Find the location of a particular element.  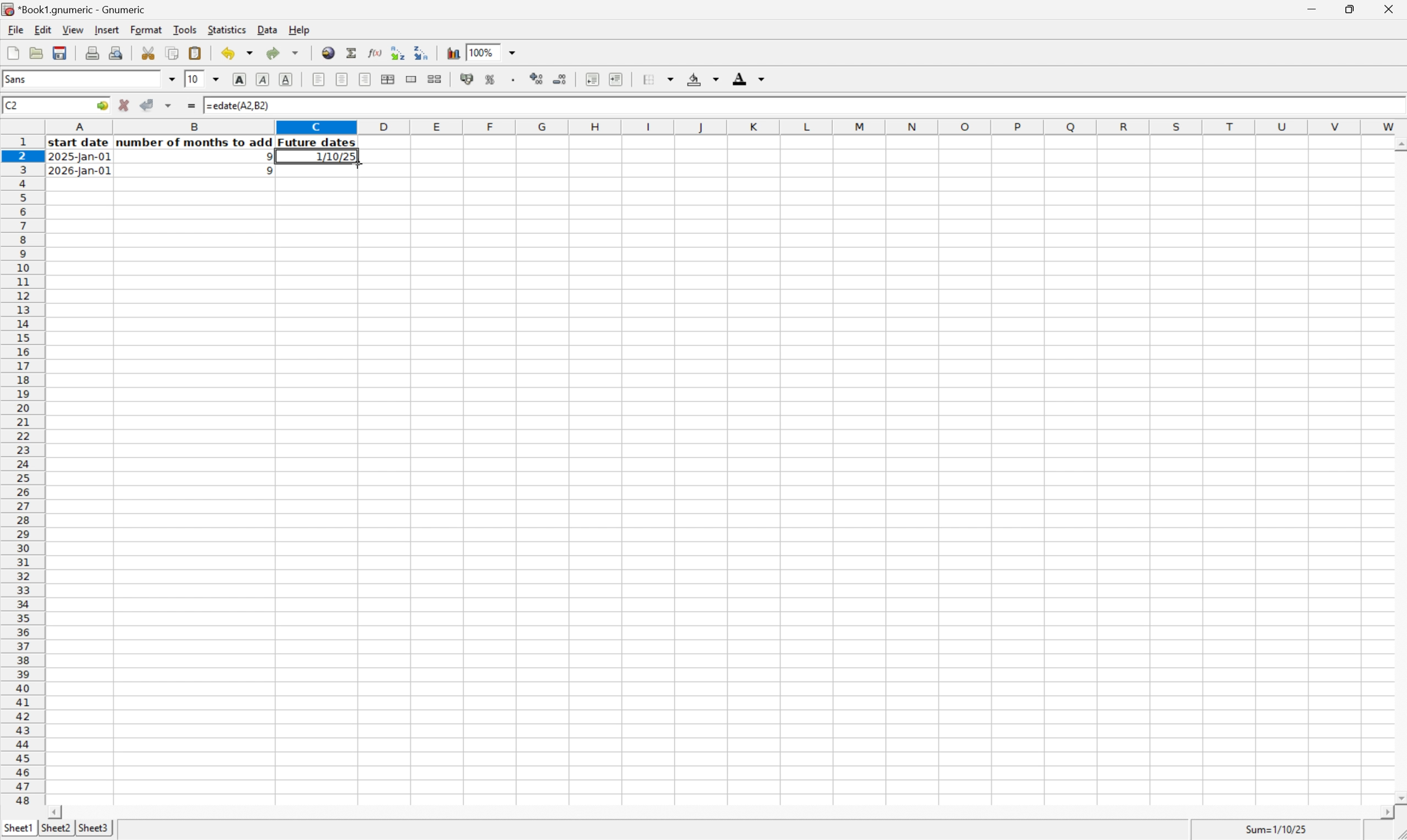

Sheet2 is located at coordinates (55, 828).